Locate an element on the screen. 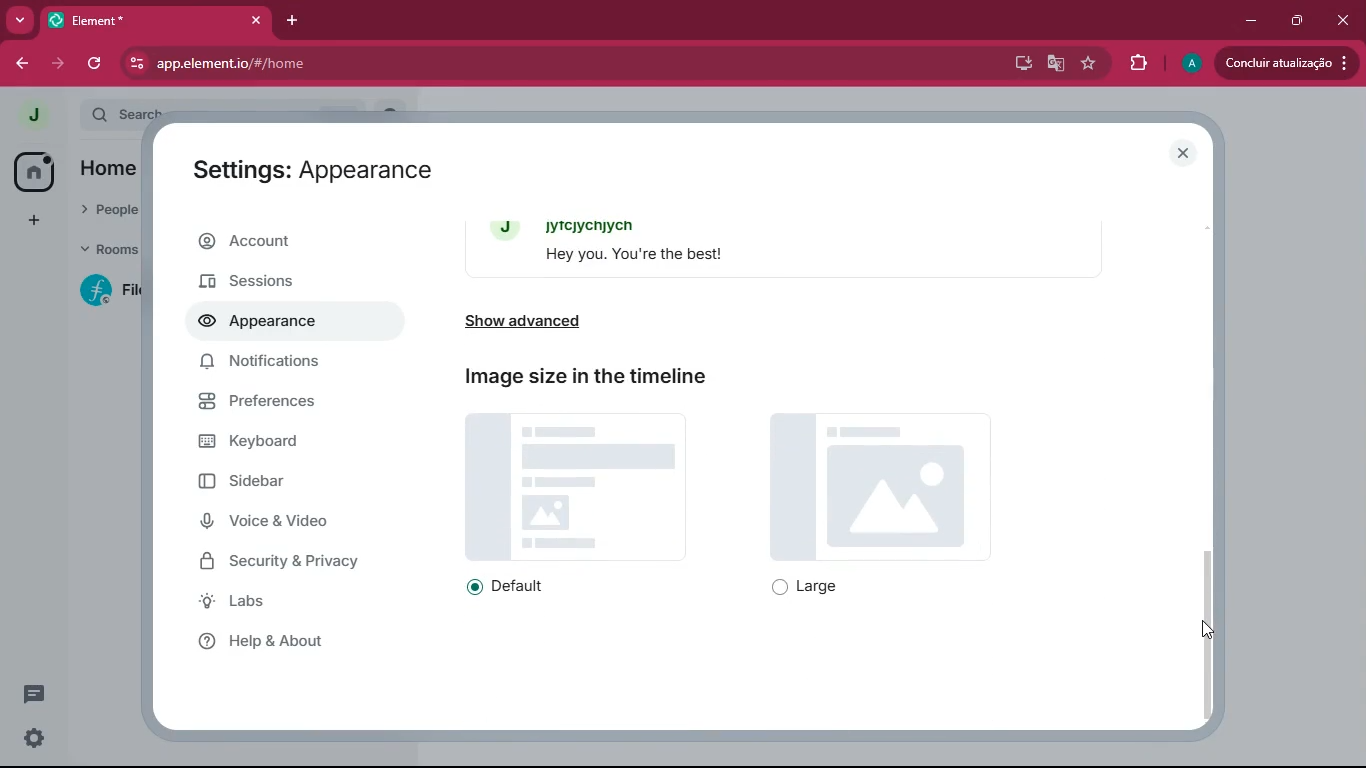 Image resolution: width=1366 pixels, height=768 pixels. Element* is located at coordinates (143, 19).